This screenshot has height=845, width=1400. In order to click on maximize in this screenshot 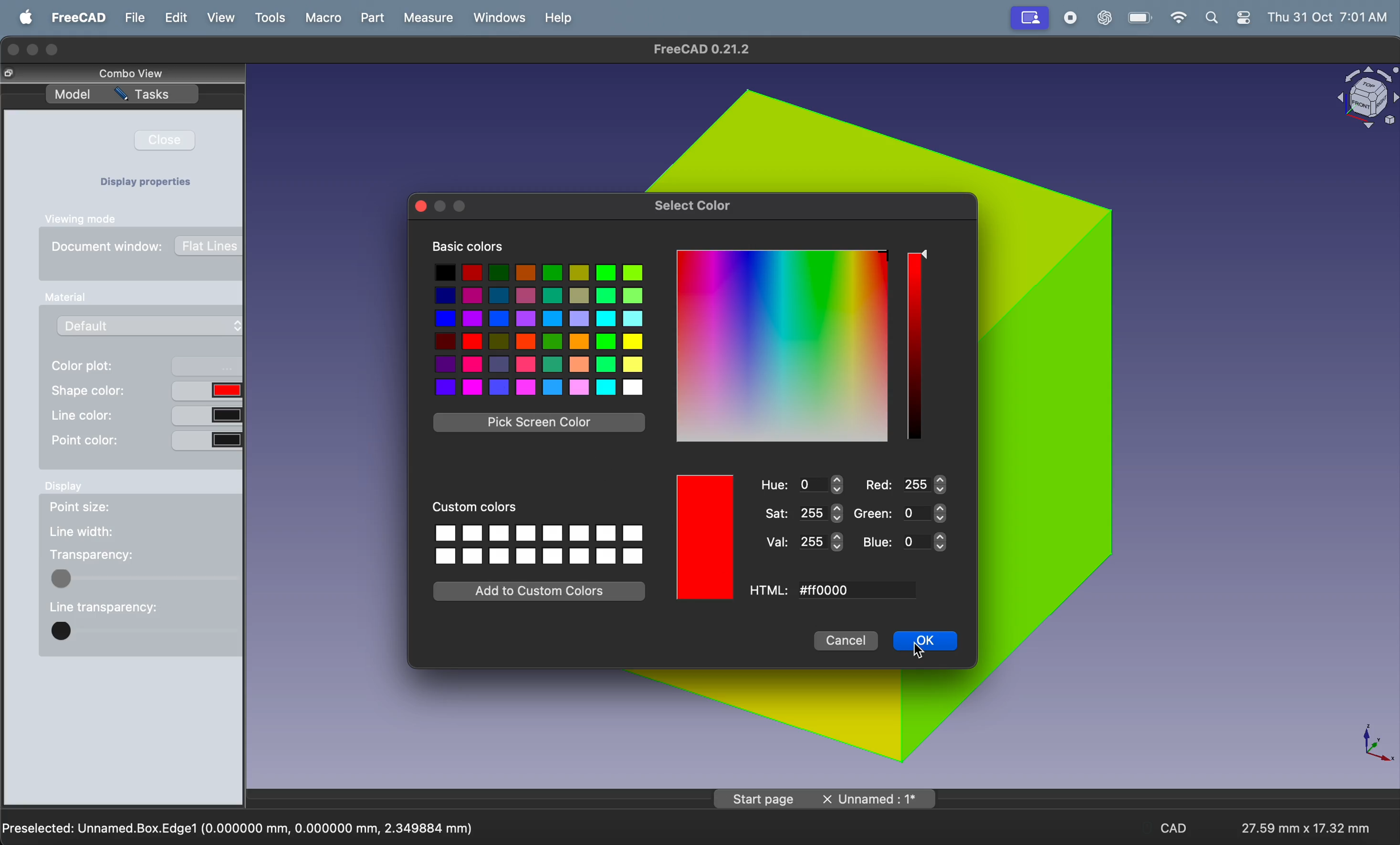, I will do `click(53, 51)`.